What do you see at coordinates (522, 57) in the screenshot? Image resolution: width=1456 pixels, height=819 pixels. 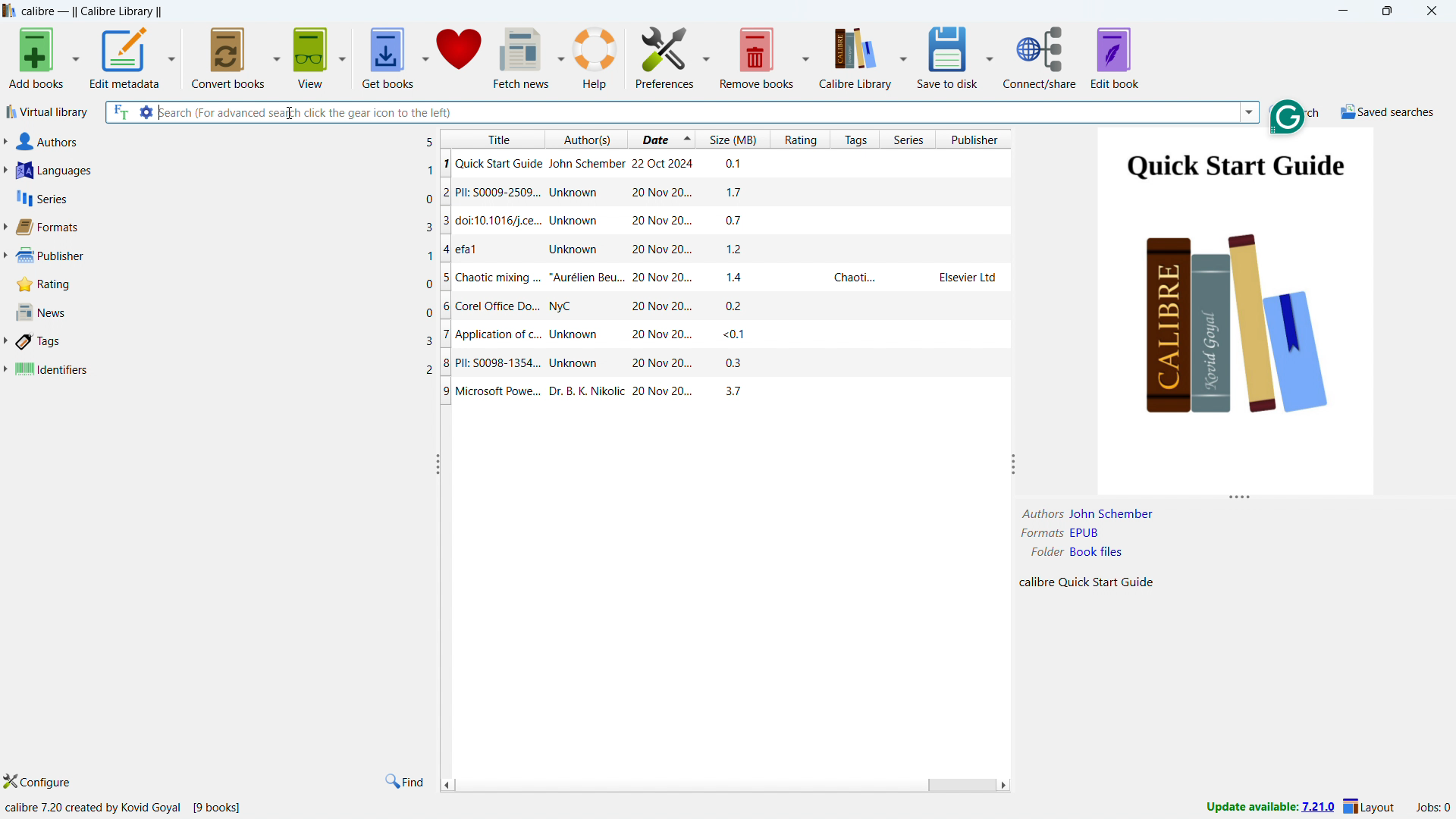 I see `fetch news` at bounding box center [522, 57].